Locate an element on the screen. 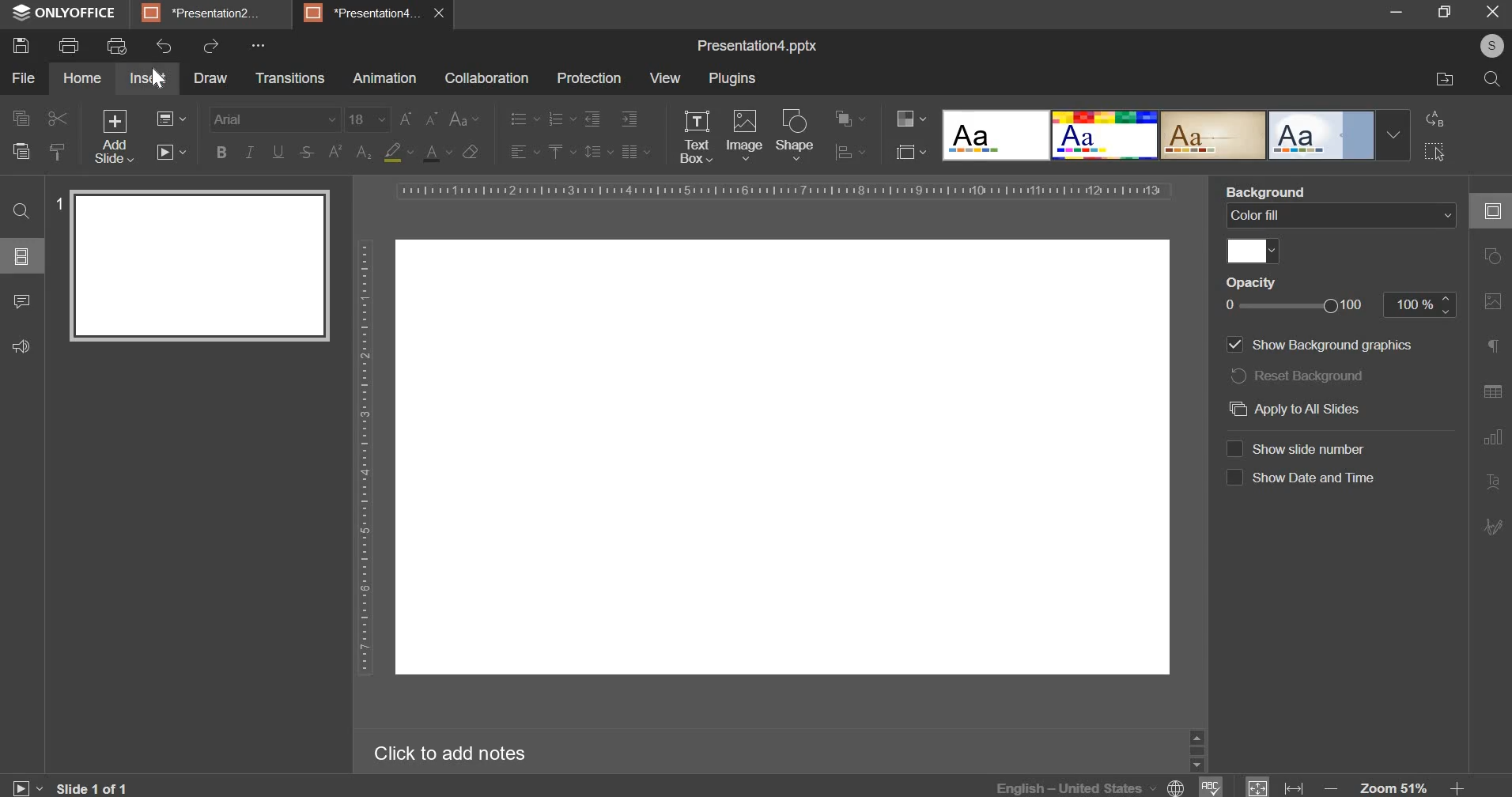  comments is located at coordinates (21, 301).